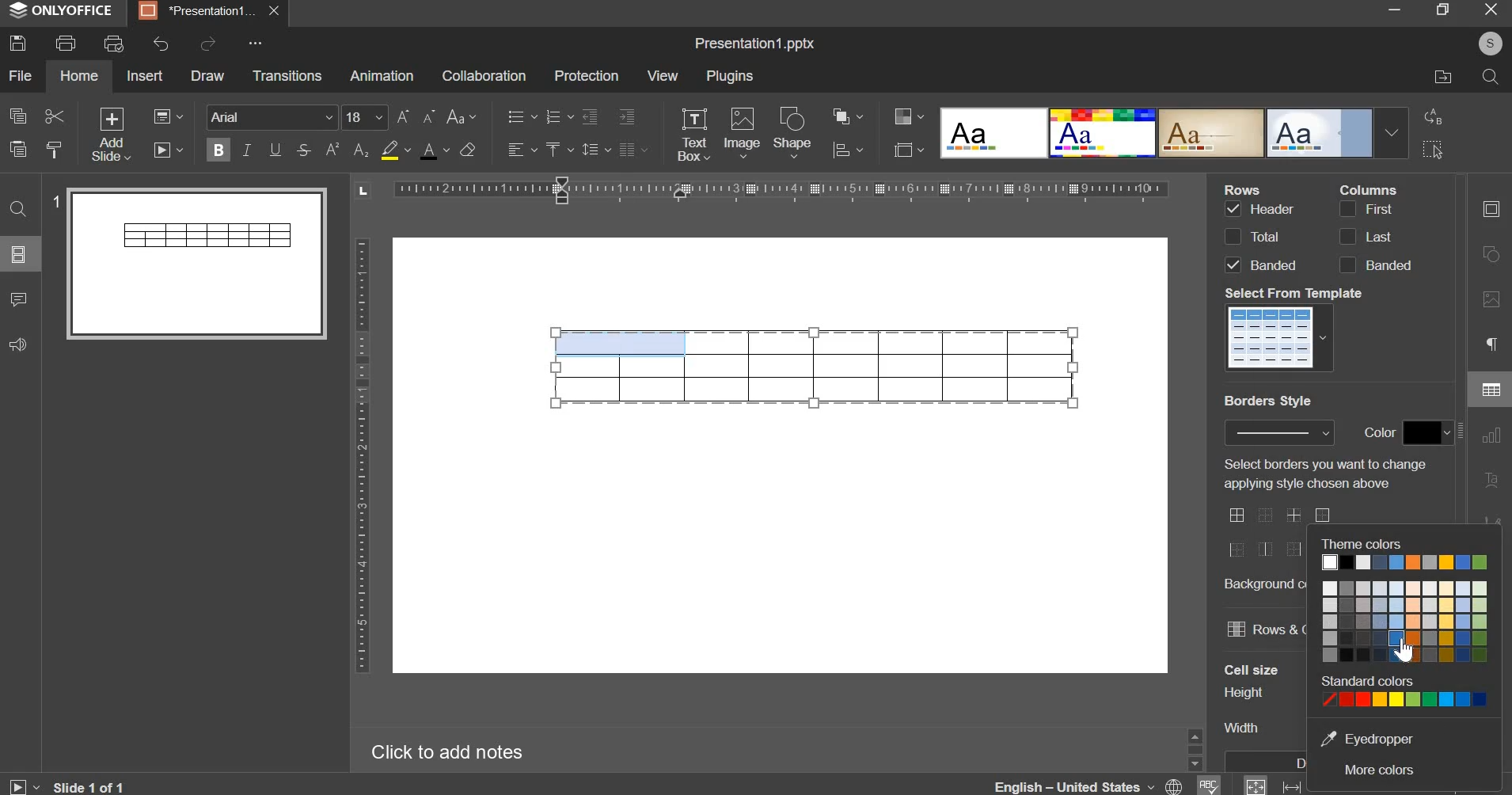  What do you see at coordinates (589, 116) in the screenshot?
I see `decrease indent` at bounding box center [589, 116].